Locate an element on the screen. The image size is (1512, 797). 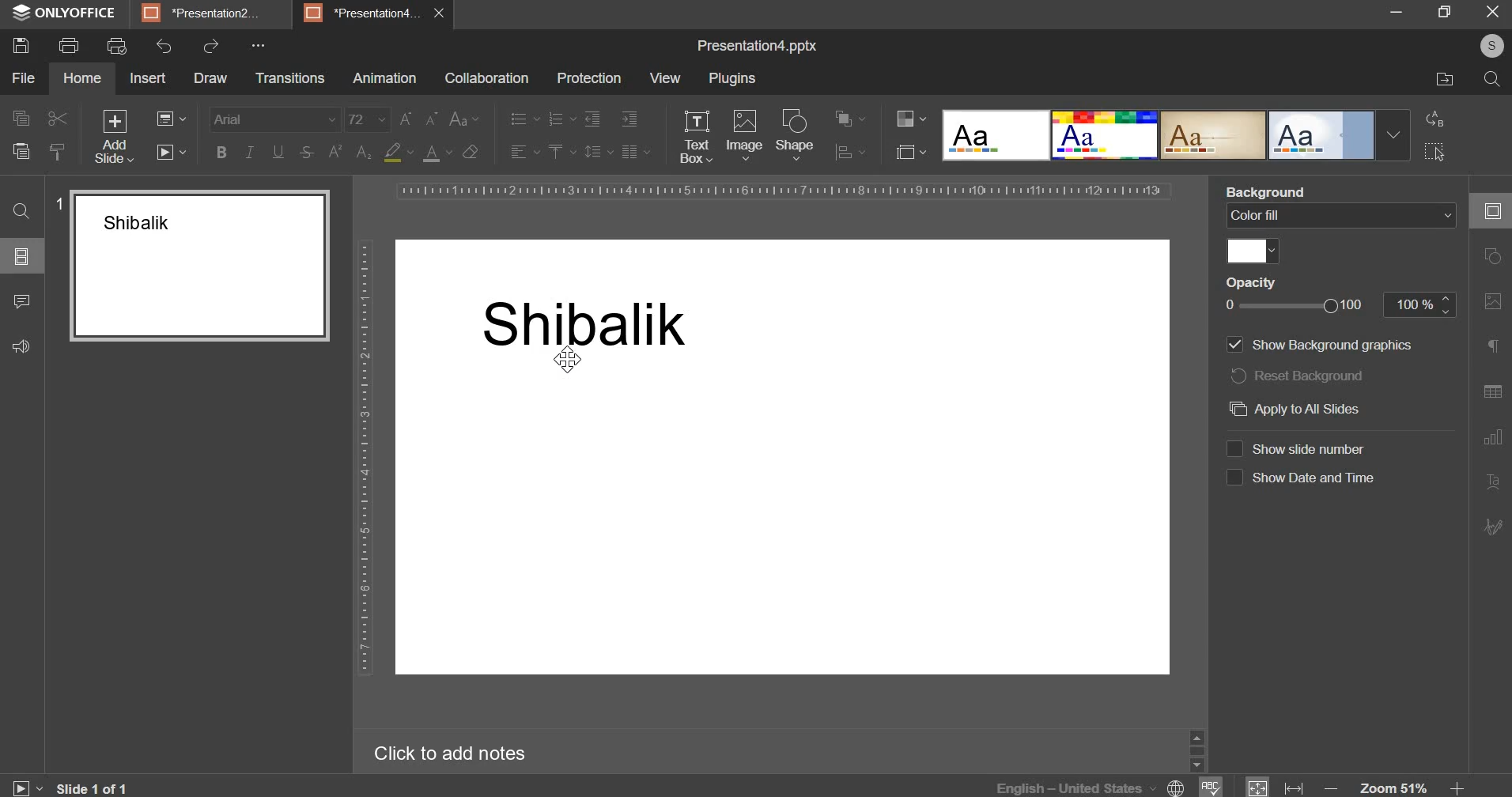
feedback is located at coordinates (23, 345).